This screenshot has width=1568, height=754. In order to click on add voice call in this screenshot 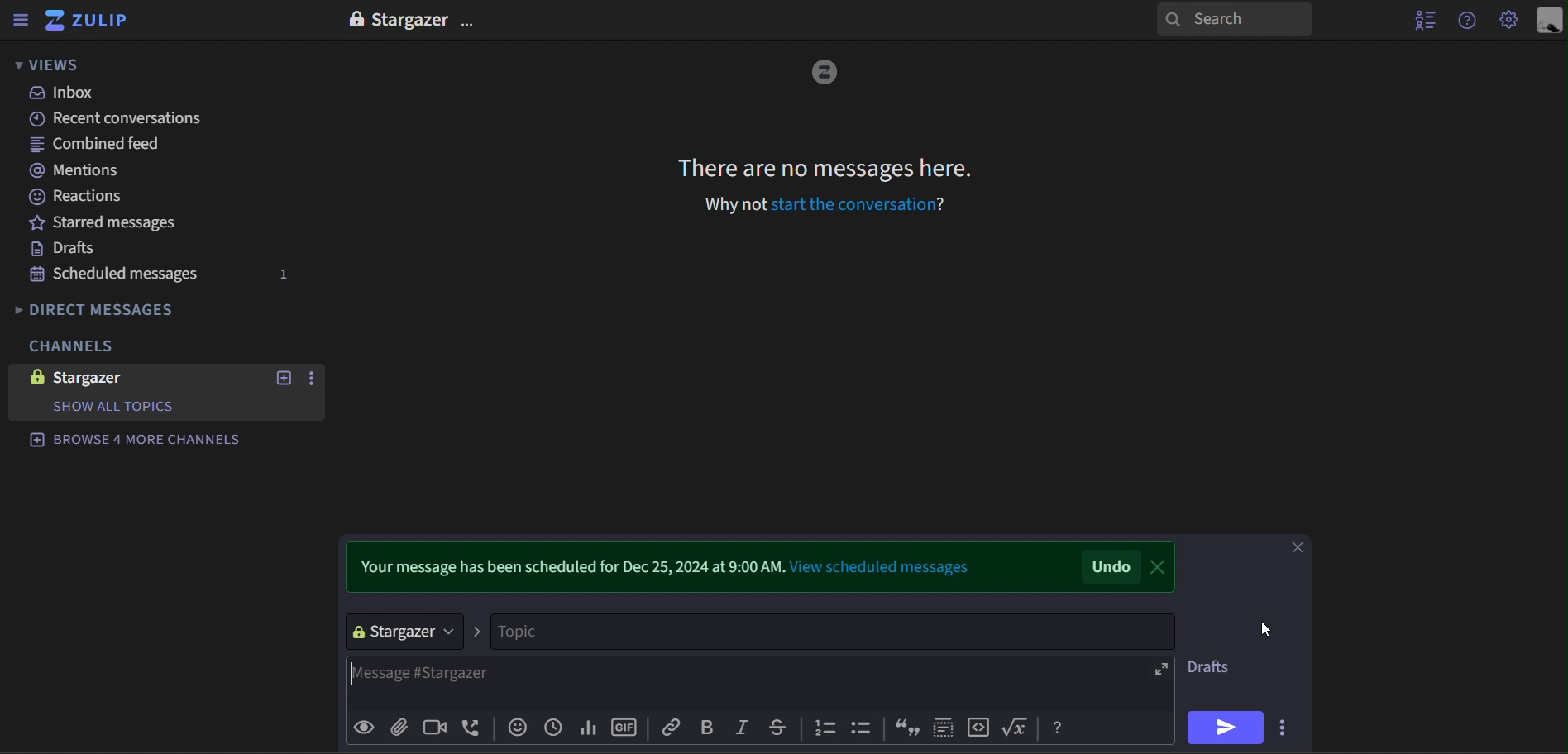, I will do `click(475, 728)`.